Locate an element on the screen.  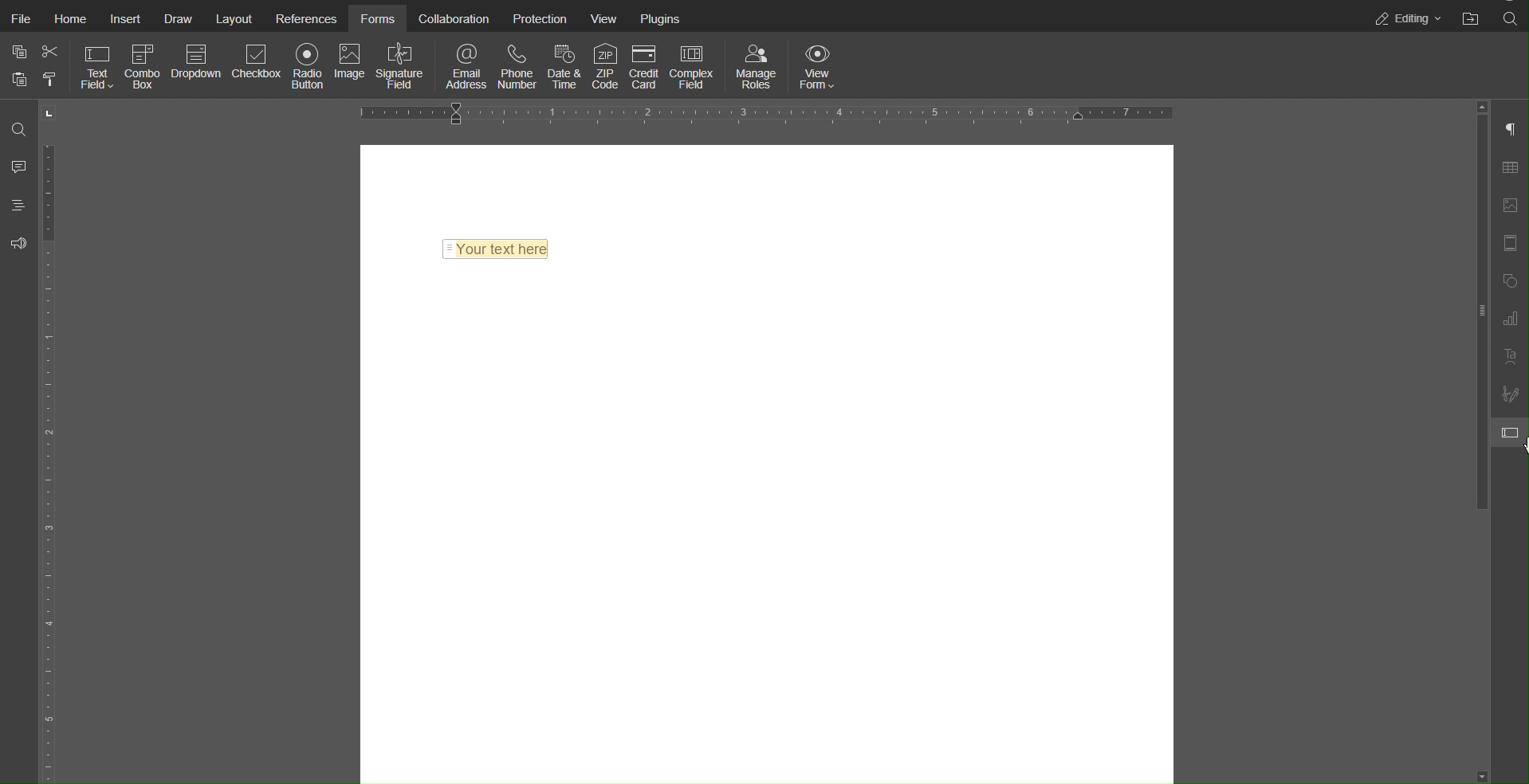
Vertical Ruler is located at coordinates (50, 441).